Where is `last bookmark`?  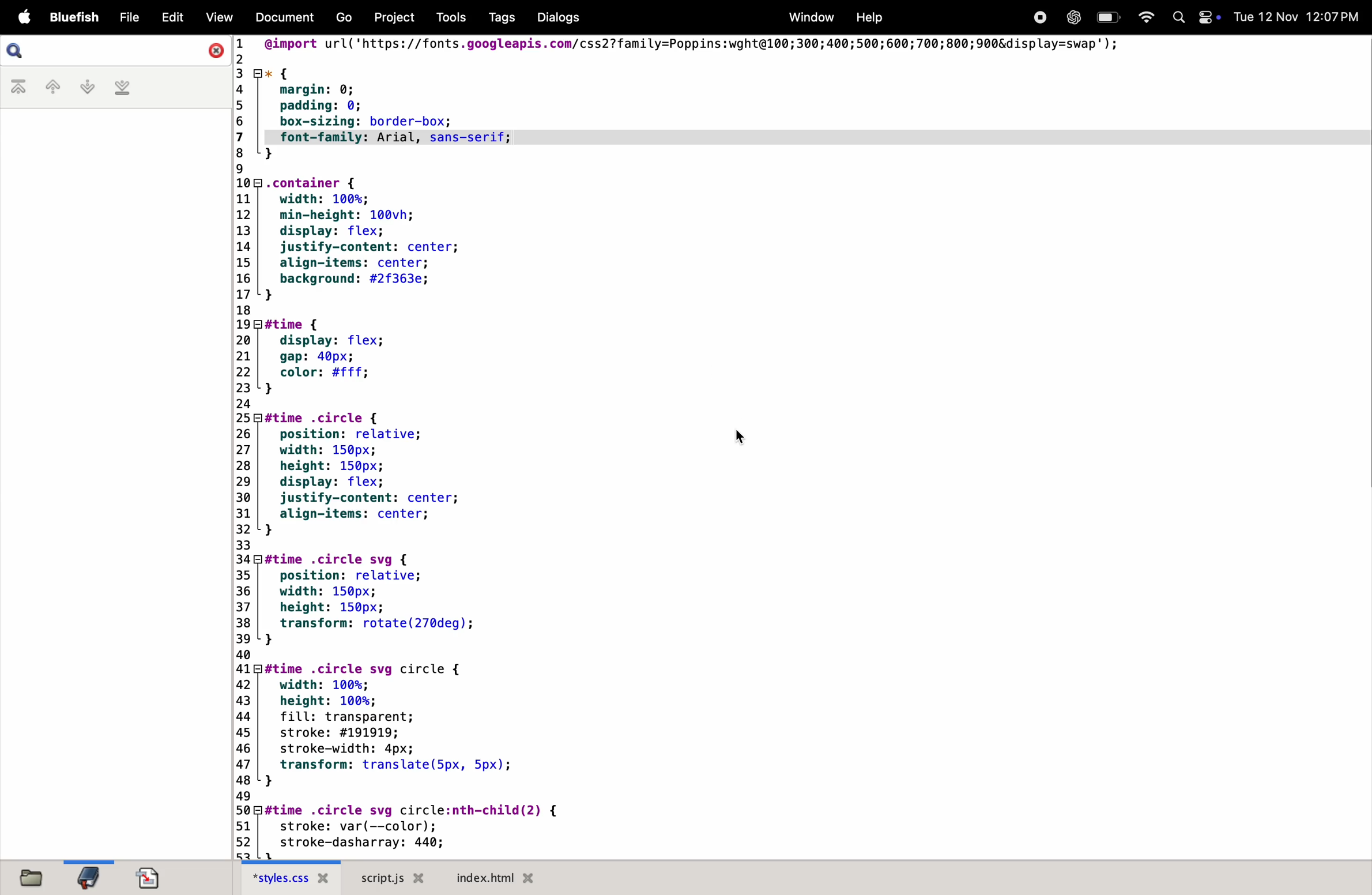 last bookmark is located at coordinates (122, 89).